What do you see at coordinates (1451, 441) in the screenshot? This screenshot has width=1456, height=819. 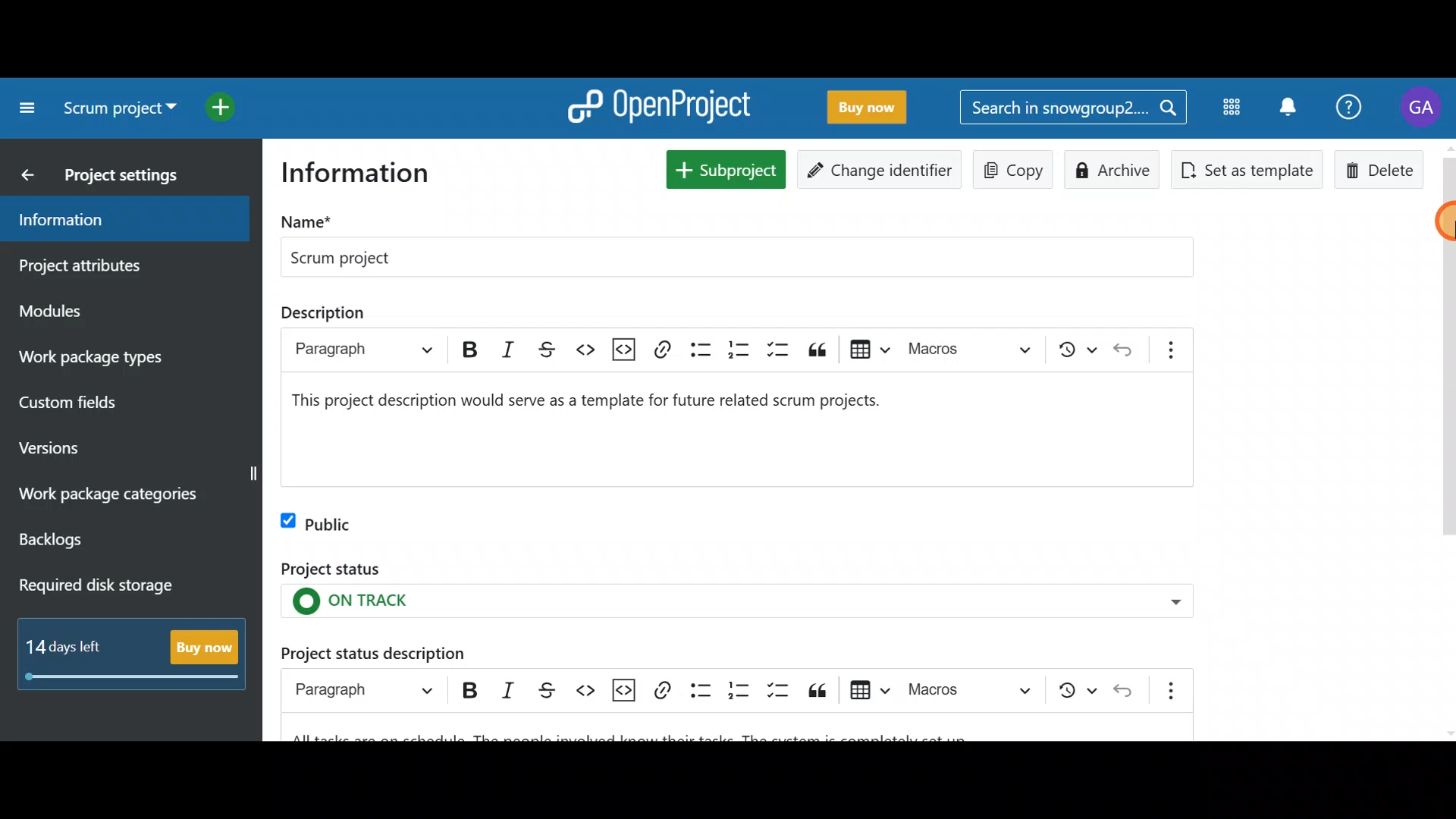 I see `scroll bar` at bounding box center [1451, 441].